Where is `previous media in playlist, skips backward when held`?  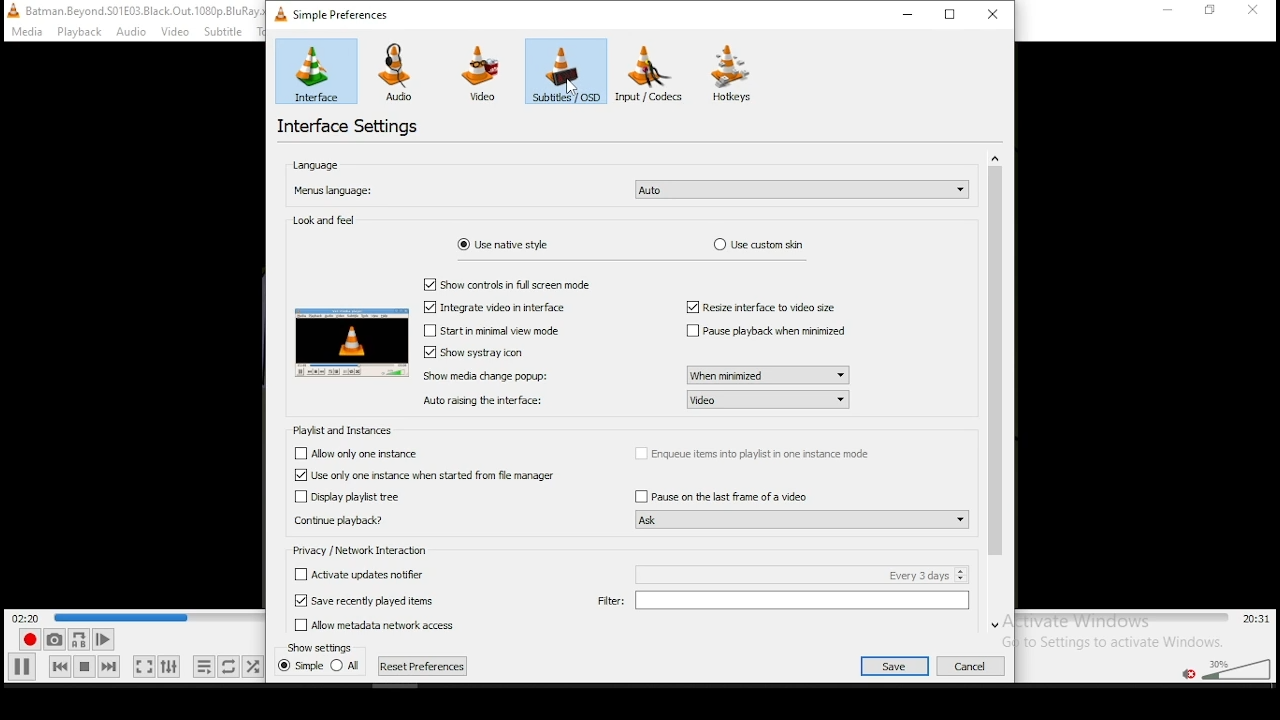 previous media in playlist, skips backward when held is located at coordinates (60, 666).